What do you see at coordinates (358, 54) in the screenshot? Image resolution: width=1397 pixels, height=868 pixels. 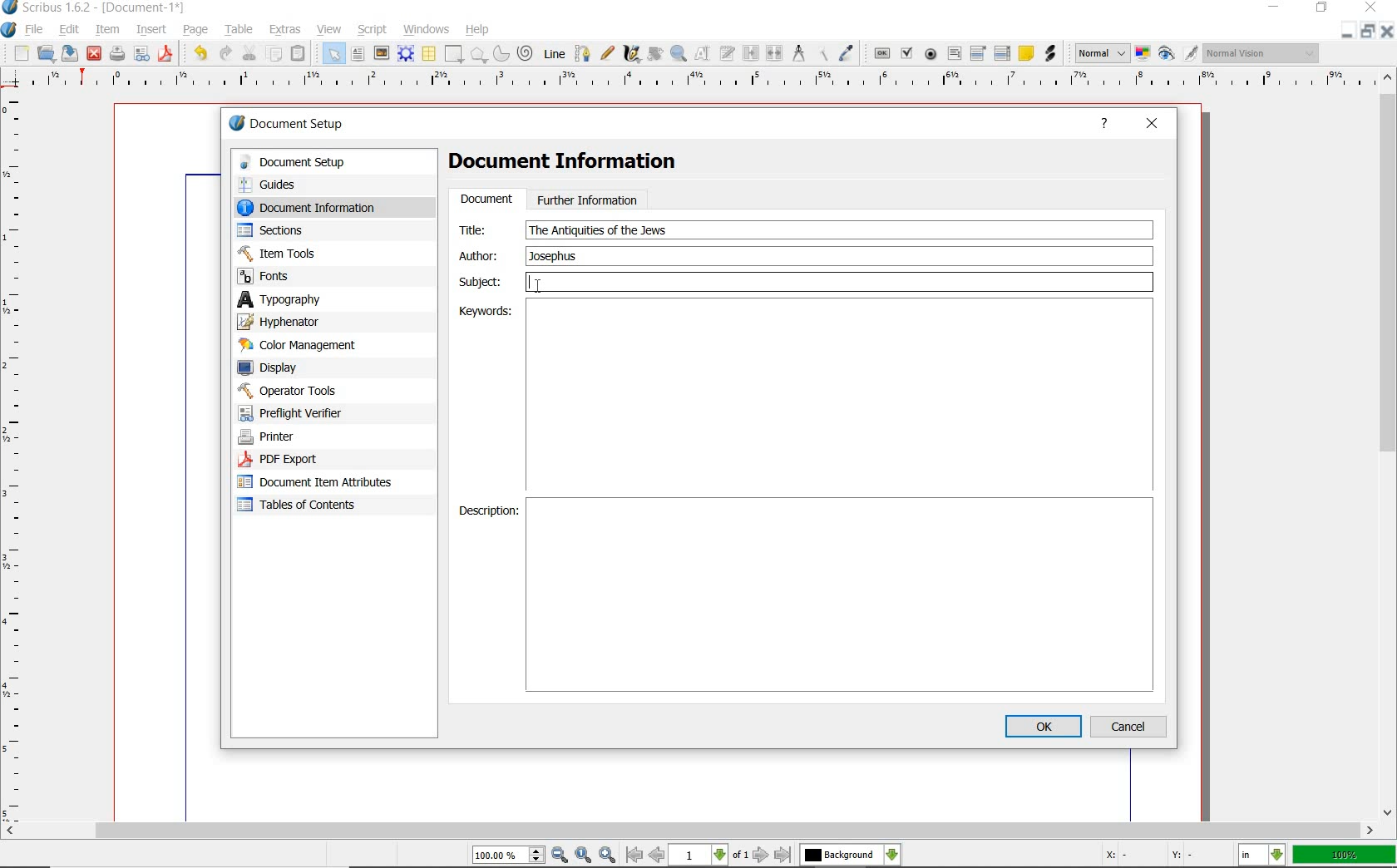 I see `text frame` at bounding box center [358, 54].